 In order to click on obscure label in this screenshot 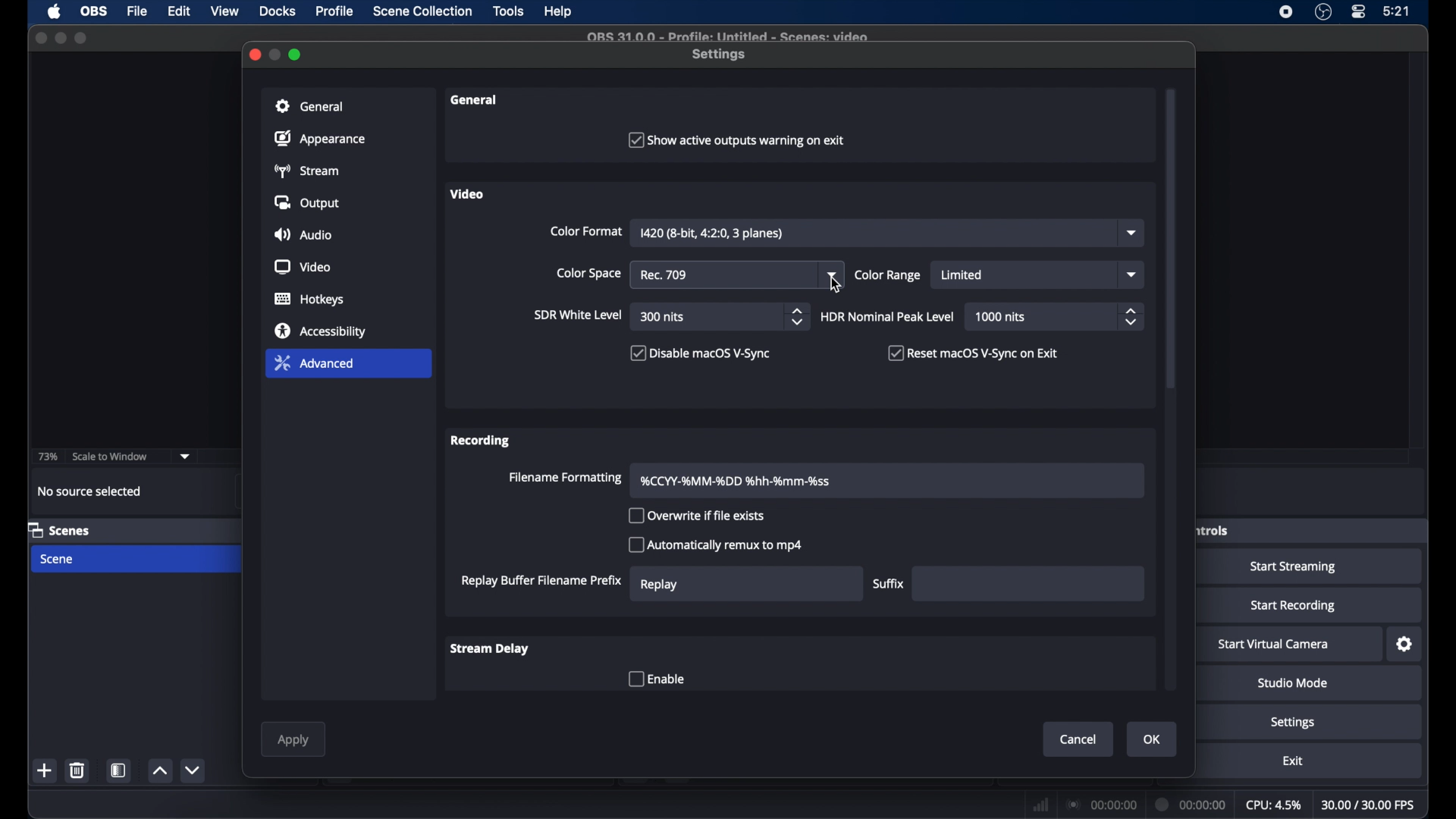, I will do `click(1214, 529)`.